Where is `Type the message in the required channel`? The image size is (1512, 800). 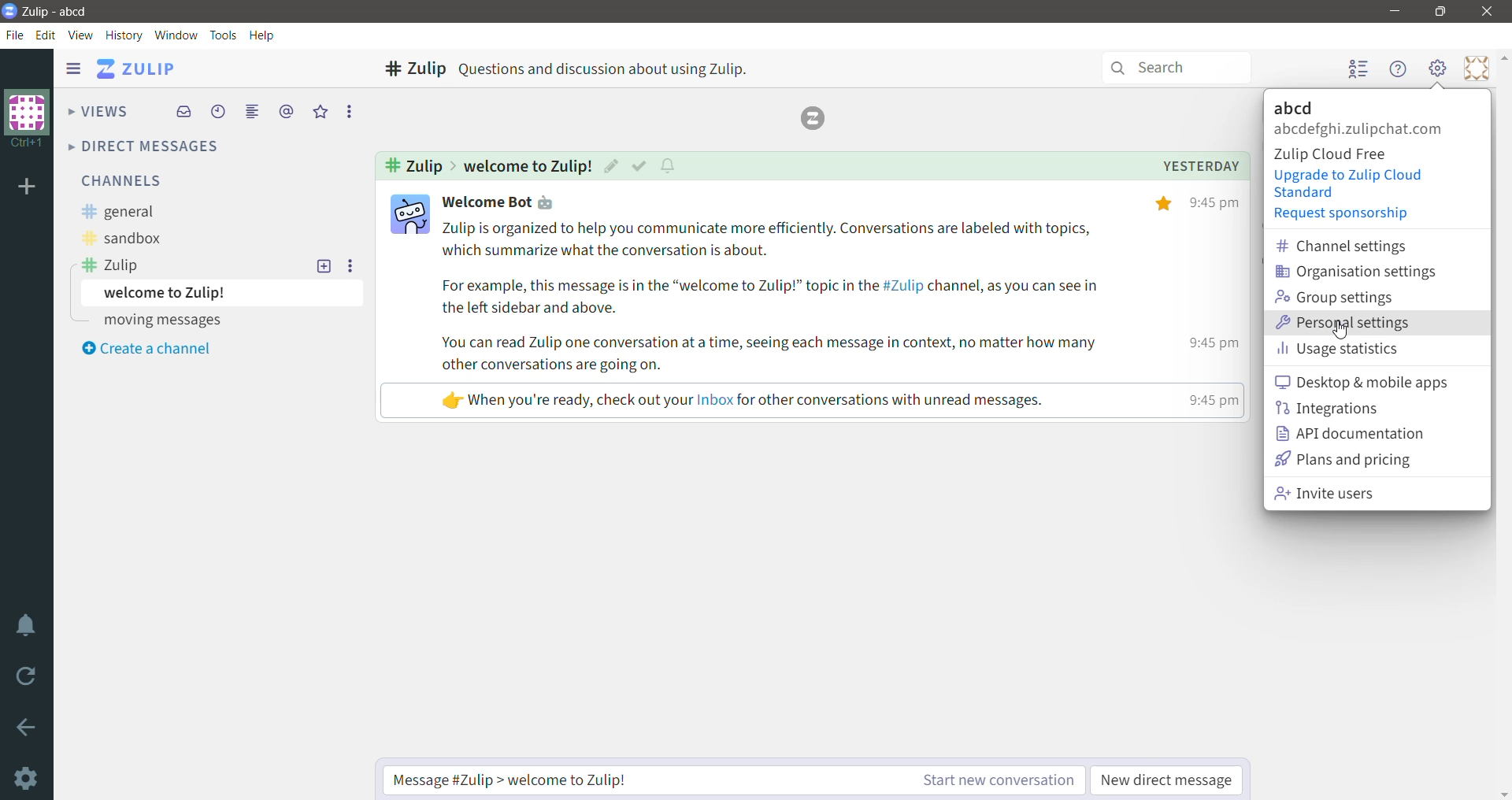
Type the message in the required channel is located at coordinates (632, 780).